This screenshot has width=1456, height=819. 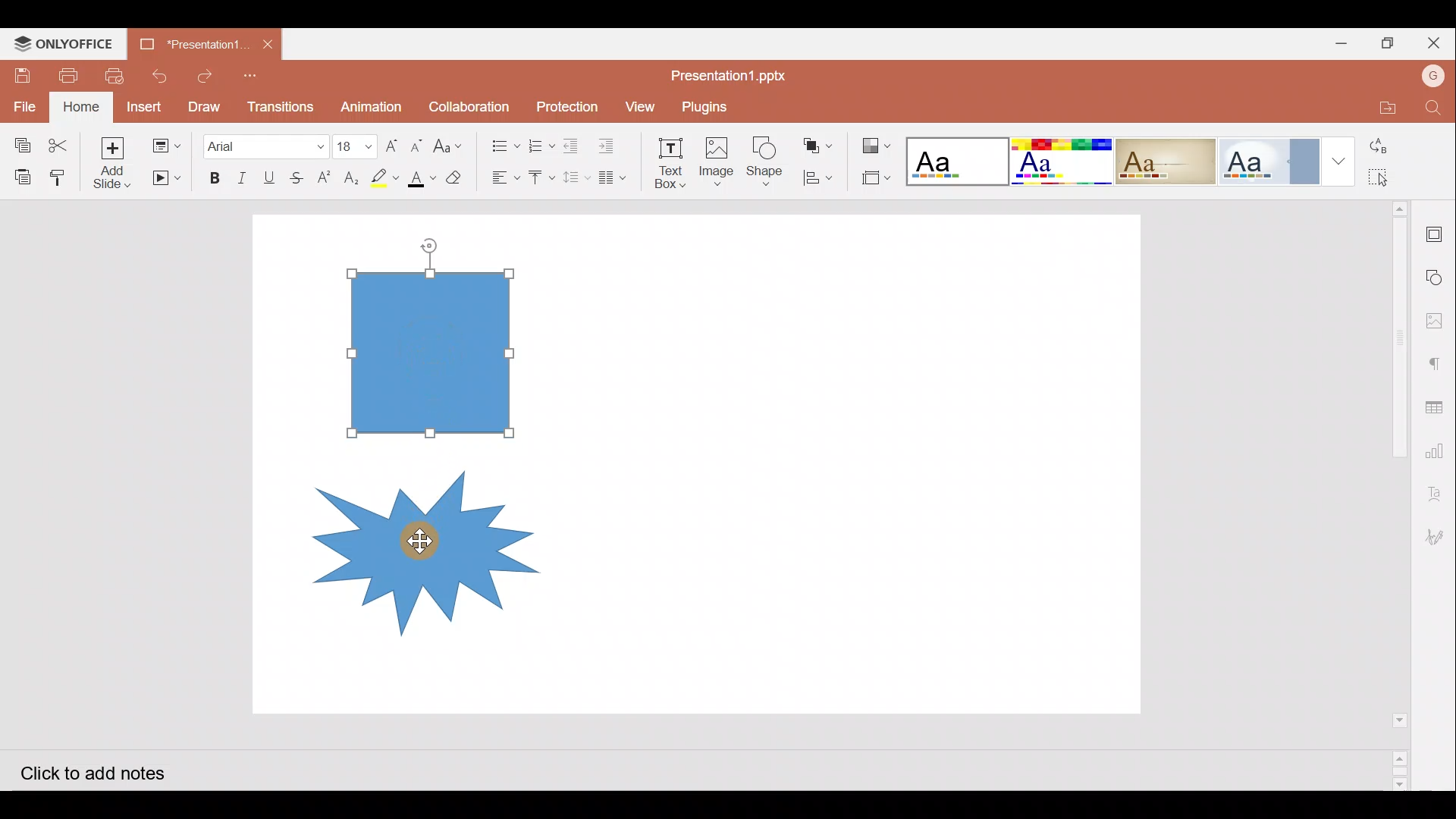 What do you see at coordinates (67, 42) in the screenshot?
I see `ONLYOFFICE` at bounding box center [67, 42].